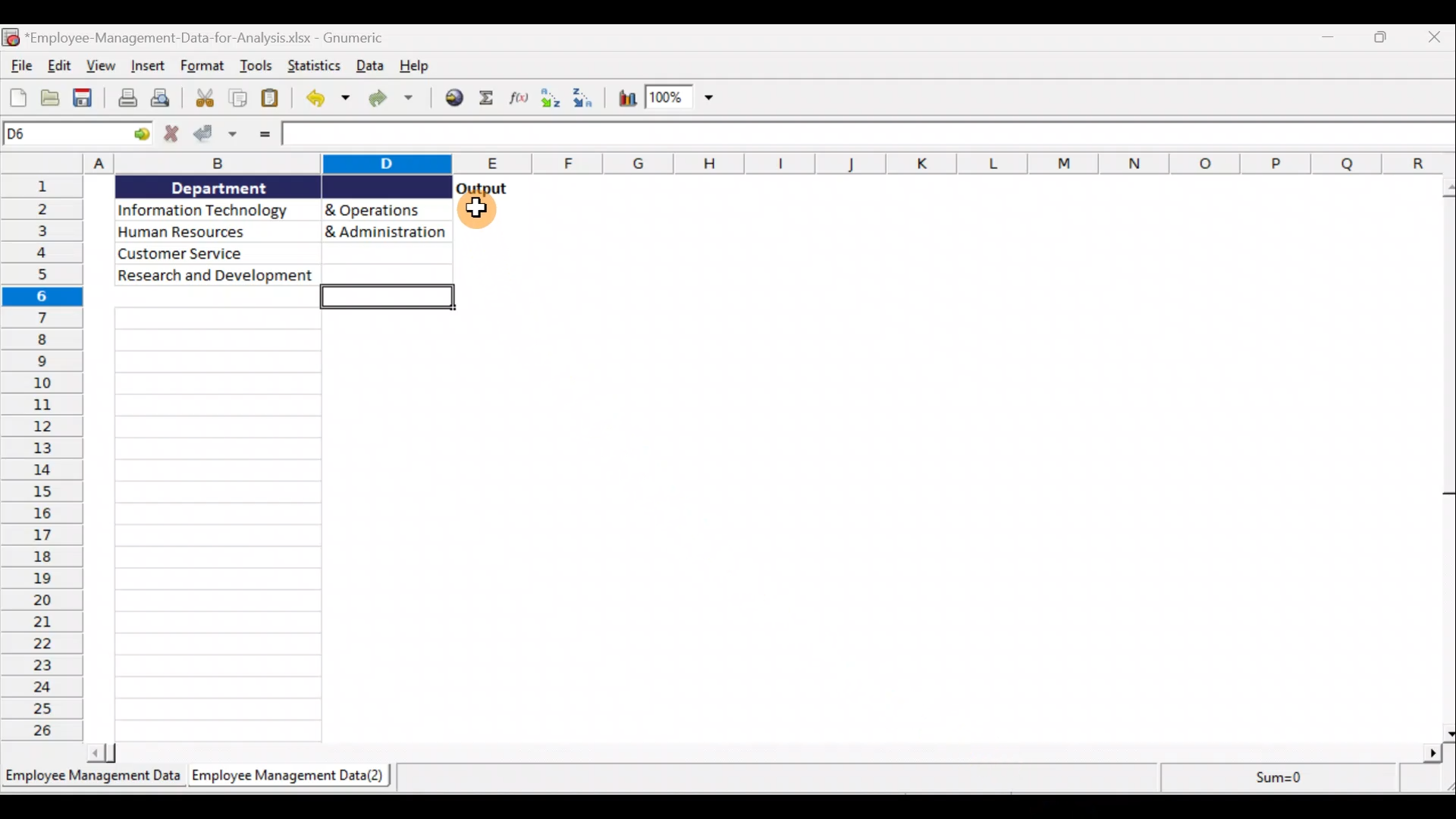 This screenshot has width=1456, height=819. I want to click on Insert hyperlink, so click(453, 99).